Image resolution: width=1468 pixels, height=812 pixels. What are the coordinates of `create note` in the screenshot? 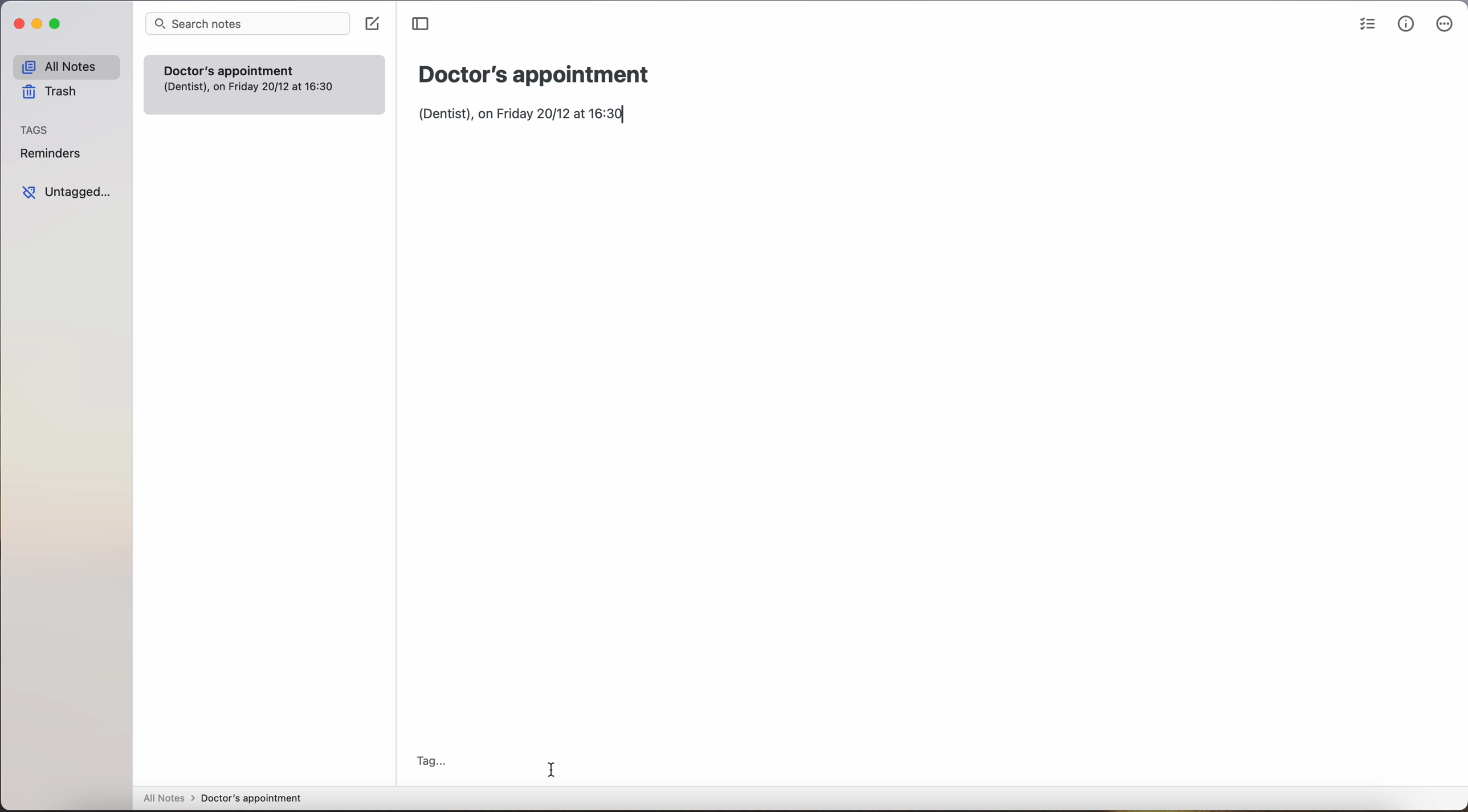 It's located at (372, 24).